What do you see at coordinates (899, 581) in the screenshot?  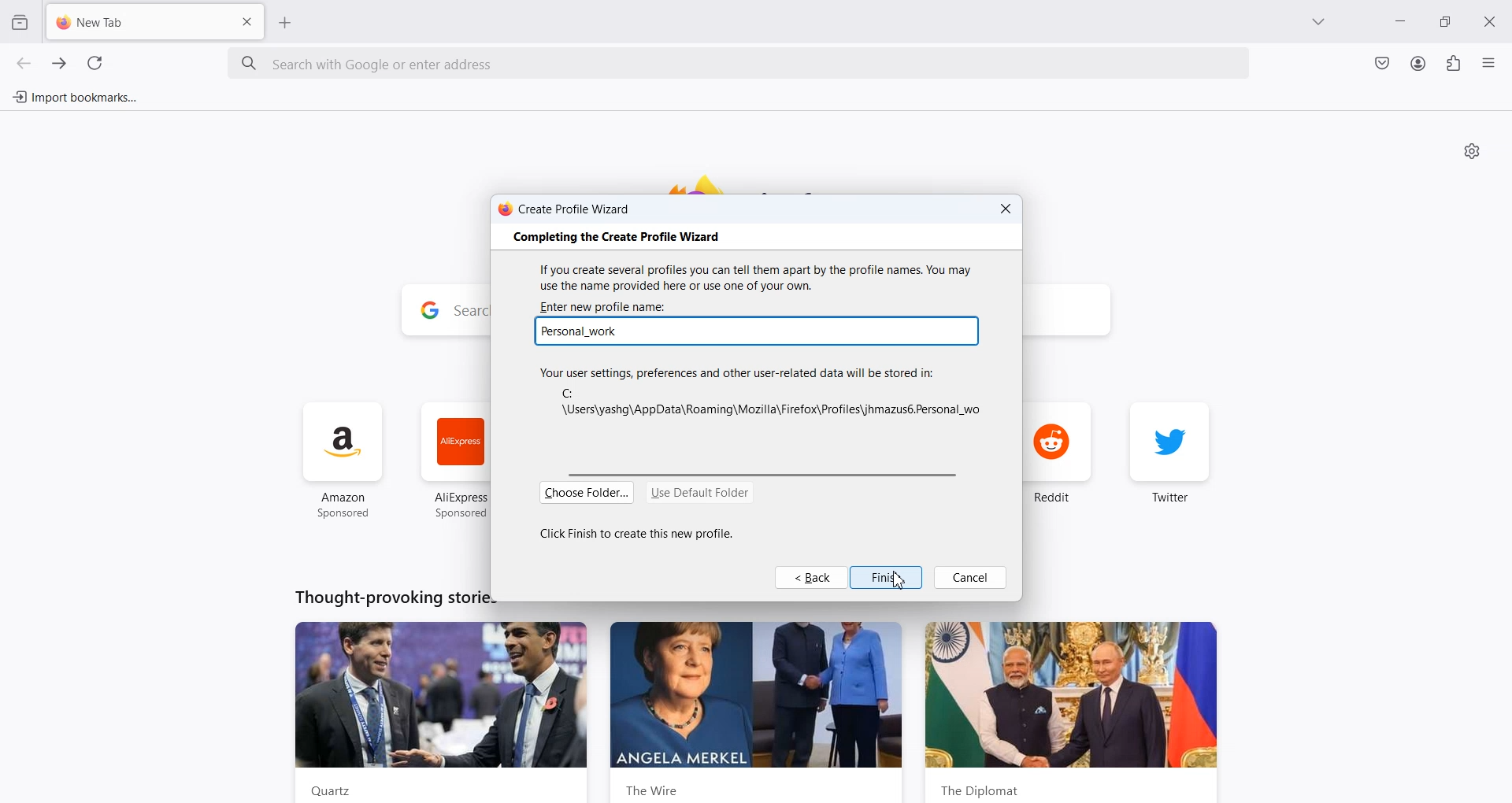 I see `Cursor` at bounding box center [899, 581].